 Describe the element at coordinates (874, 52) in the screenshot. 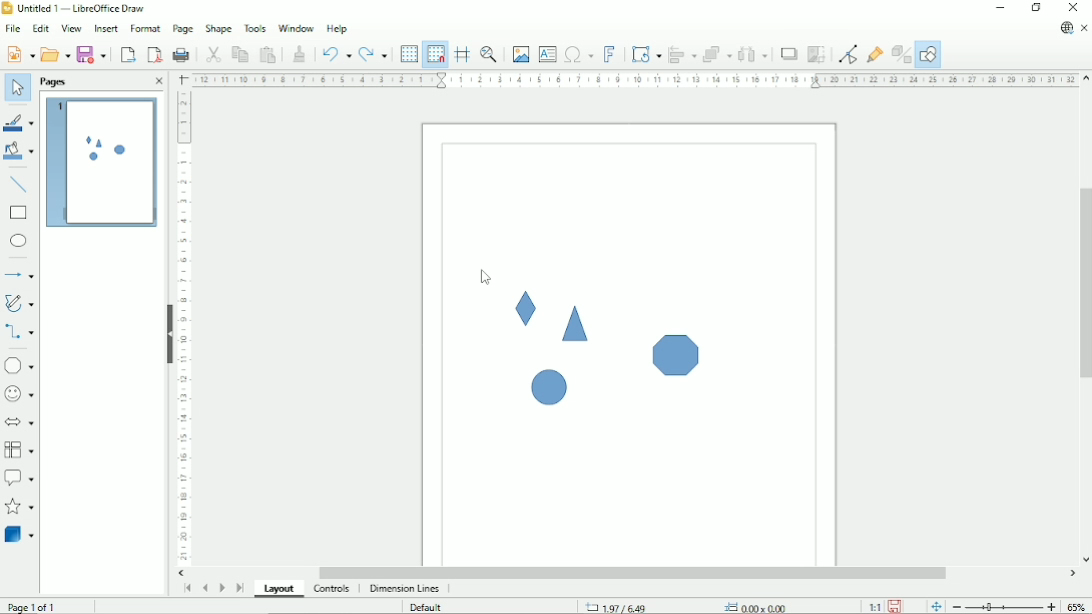

I see `Show gluepoint functions` at that location.